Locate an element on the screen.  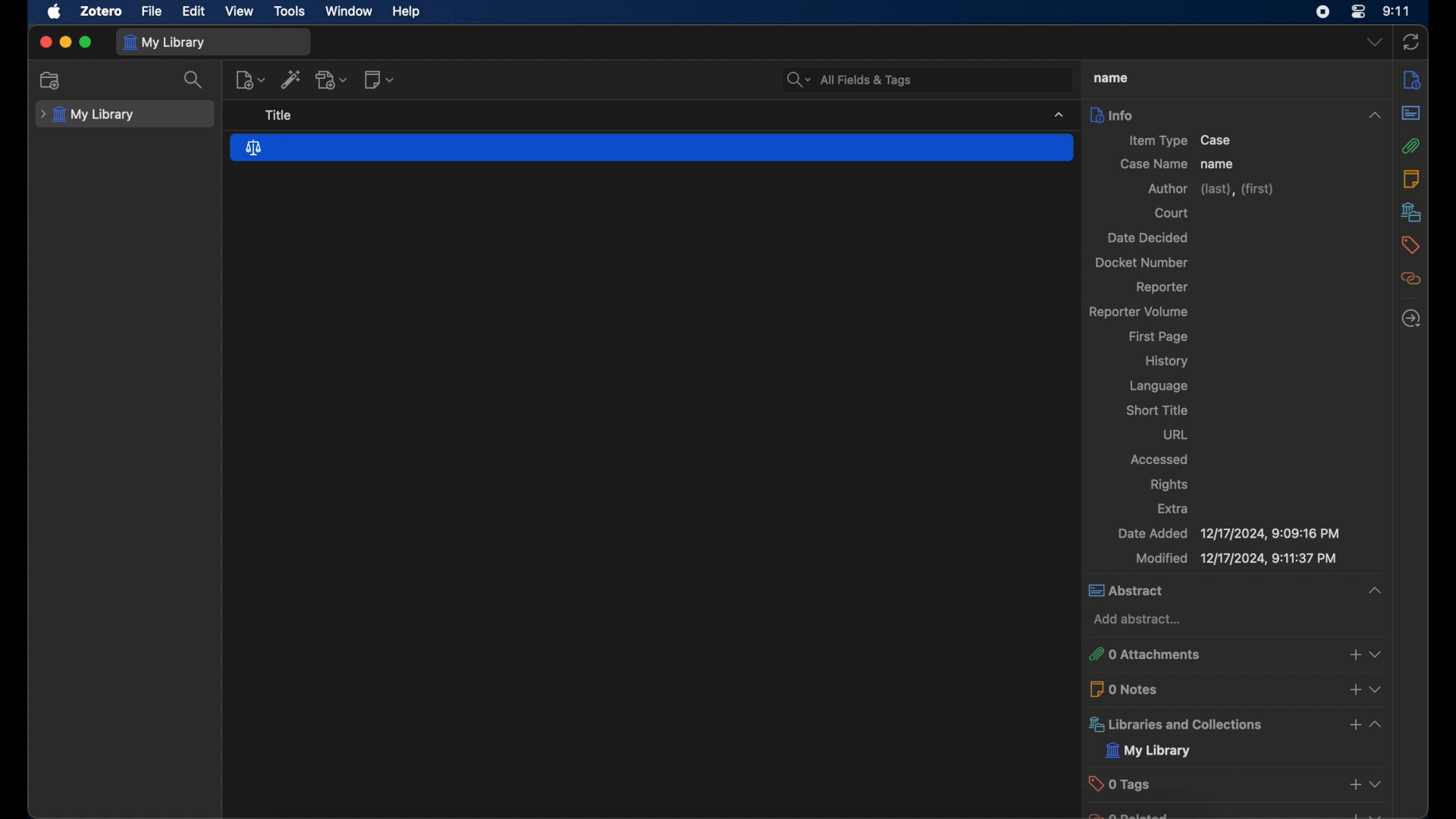
my library is located at coordinates (1147, 752).